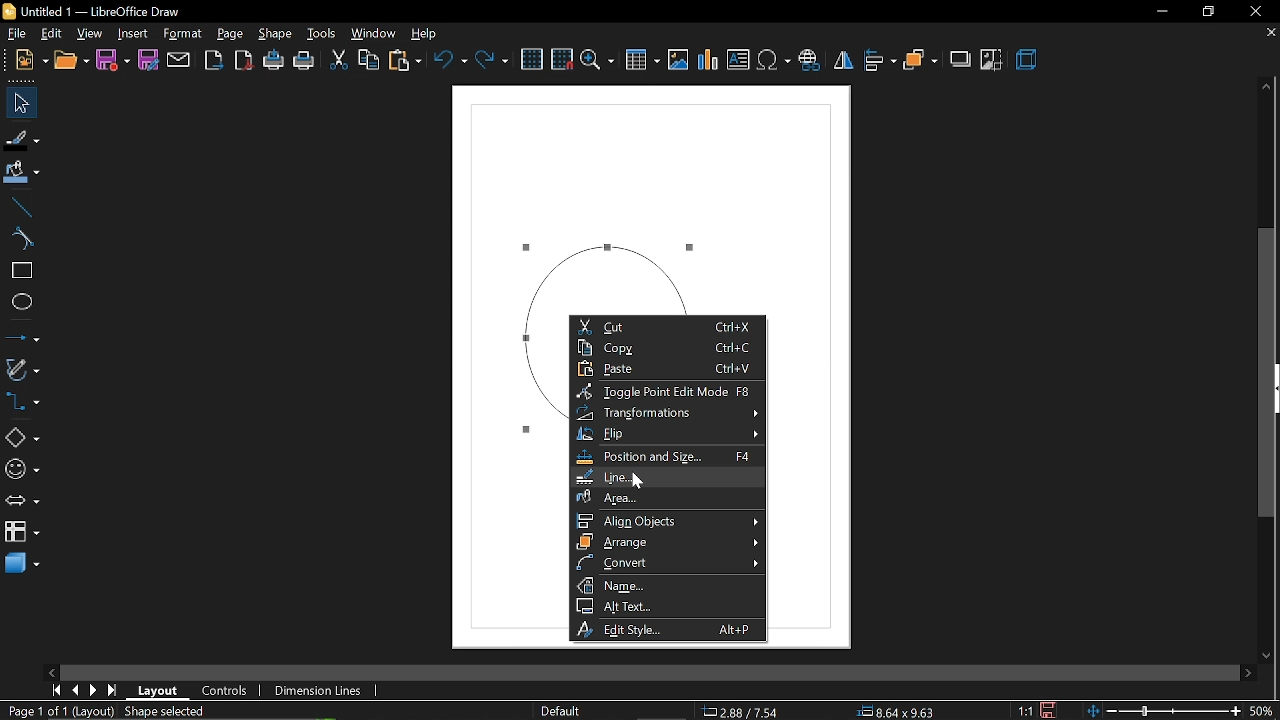 This screenshot has height=720, width=1280. What do you see at coordinates (668, 563) in the screenshot?
I see `convert` at bounding box center [668, 563].